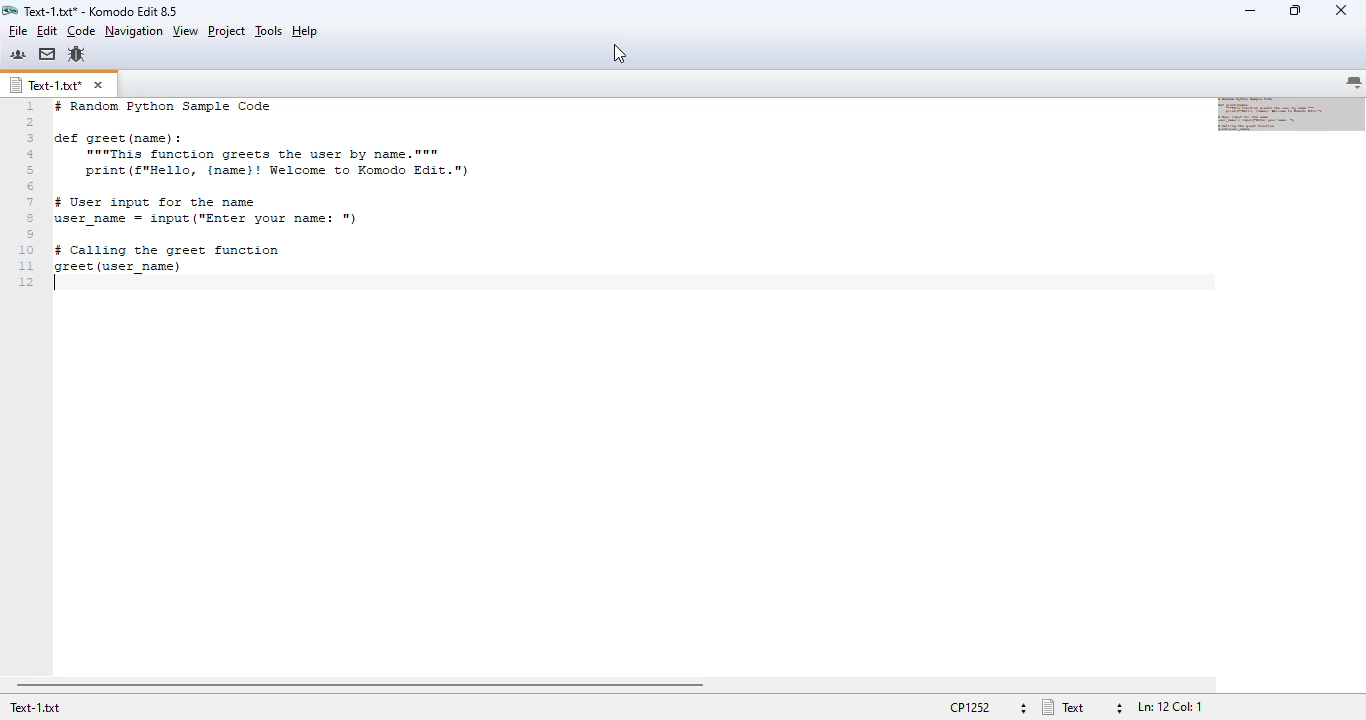 The height and width of the screenshot is (720, 1366). I want to click on file type, so click(1082, 707).